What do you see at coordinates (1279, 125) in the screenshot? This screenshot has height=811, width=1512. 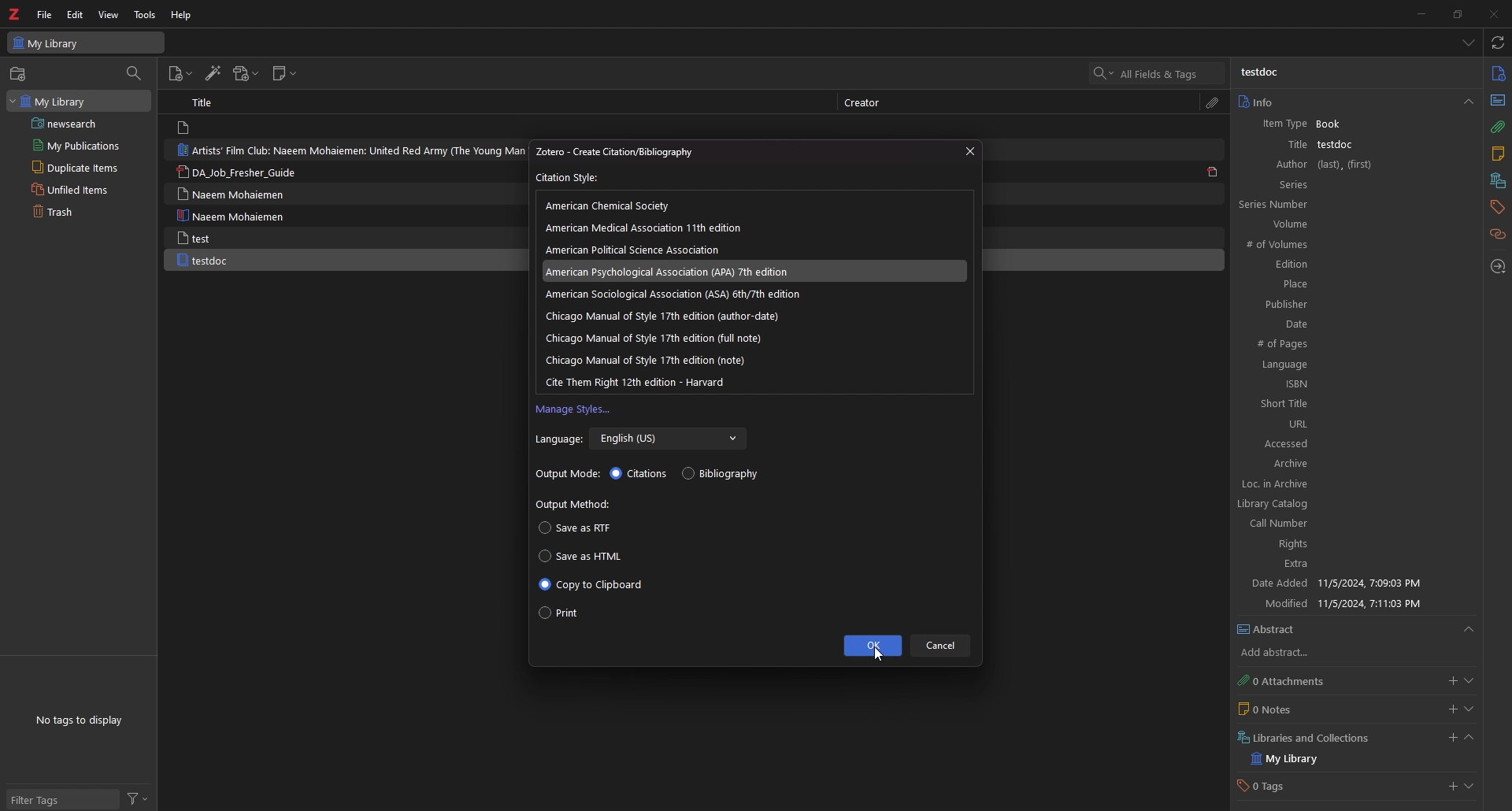 I see `item Type` at bounding box center [1279, 125].